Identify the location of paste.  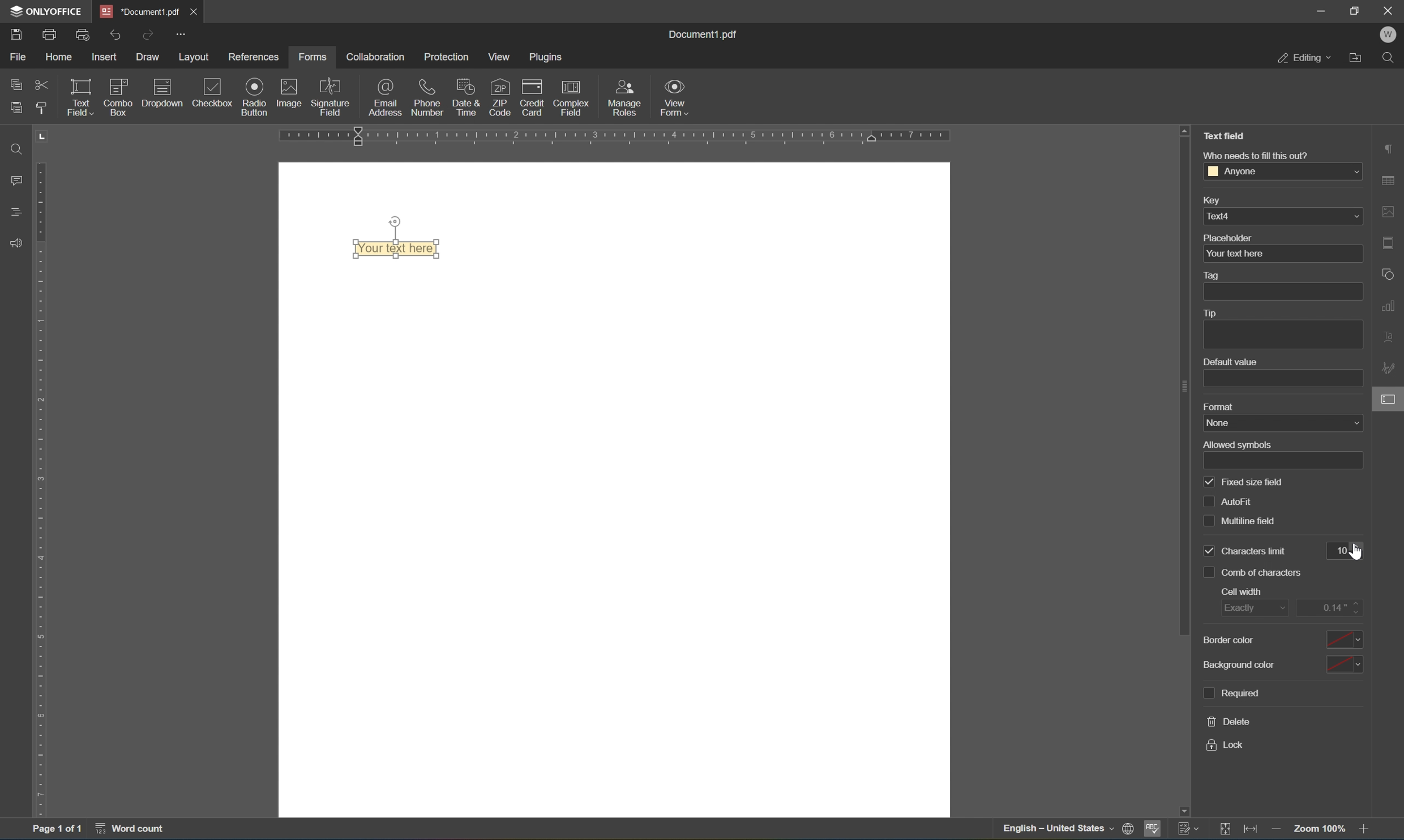
(16, 108).